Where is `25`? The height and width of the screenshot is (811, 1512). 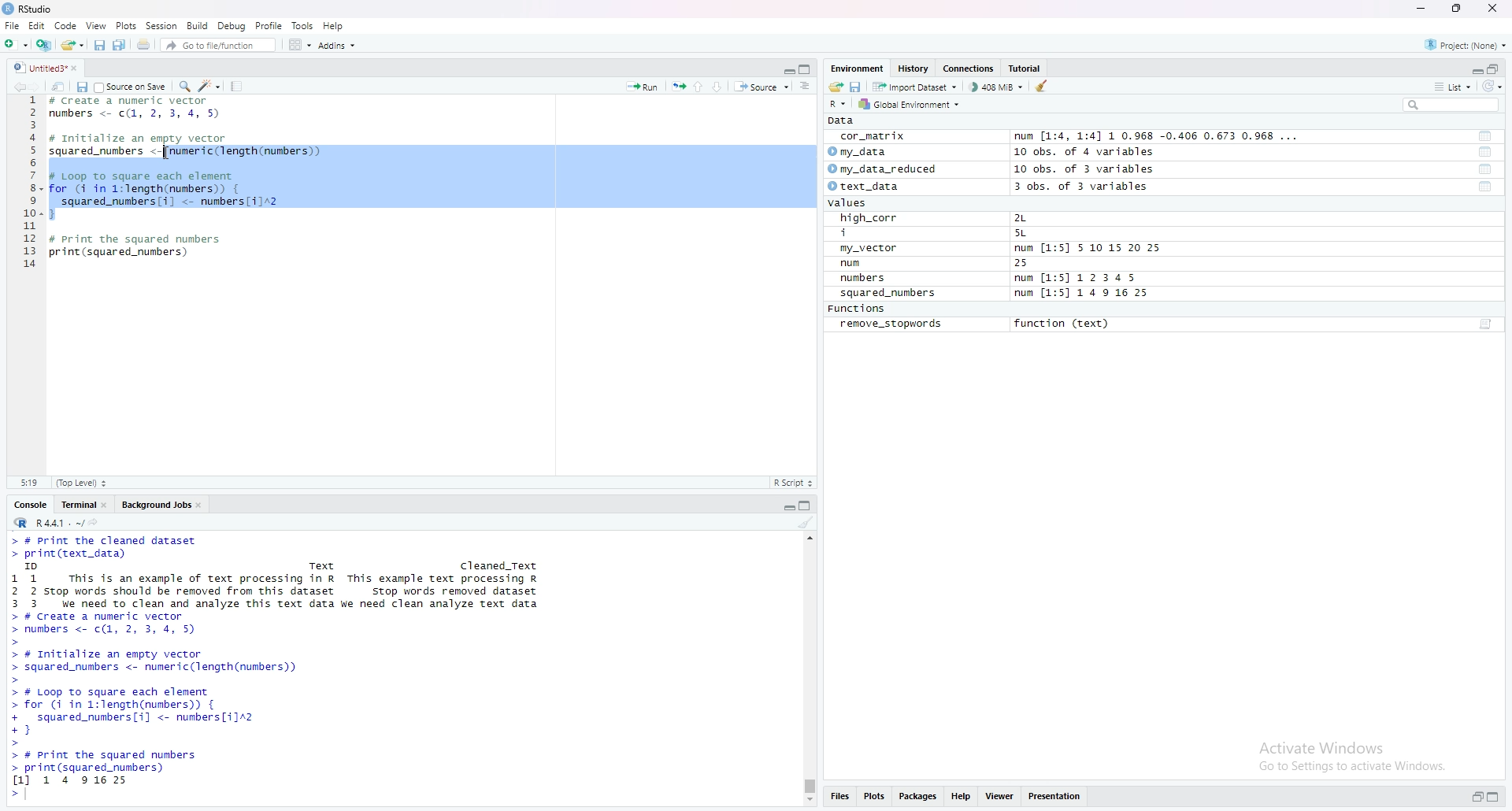
25 is located at coordinates (1037, 264).